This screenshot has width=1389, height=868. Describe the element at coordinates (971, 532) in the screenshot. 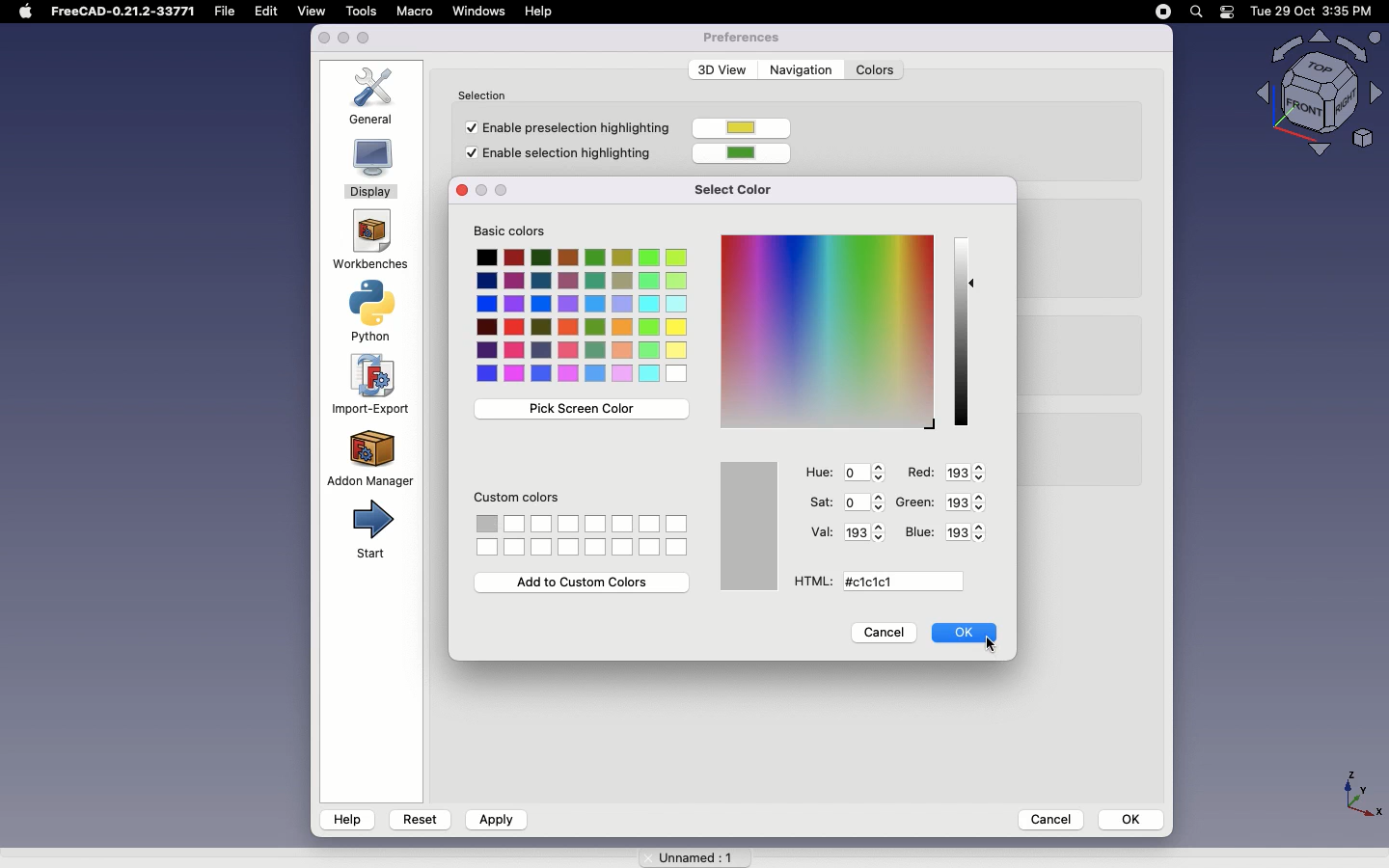

I see `193` at that location.